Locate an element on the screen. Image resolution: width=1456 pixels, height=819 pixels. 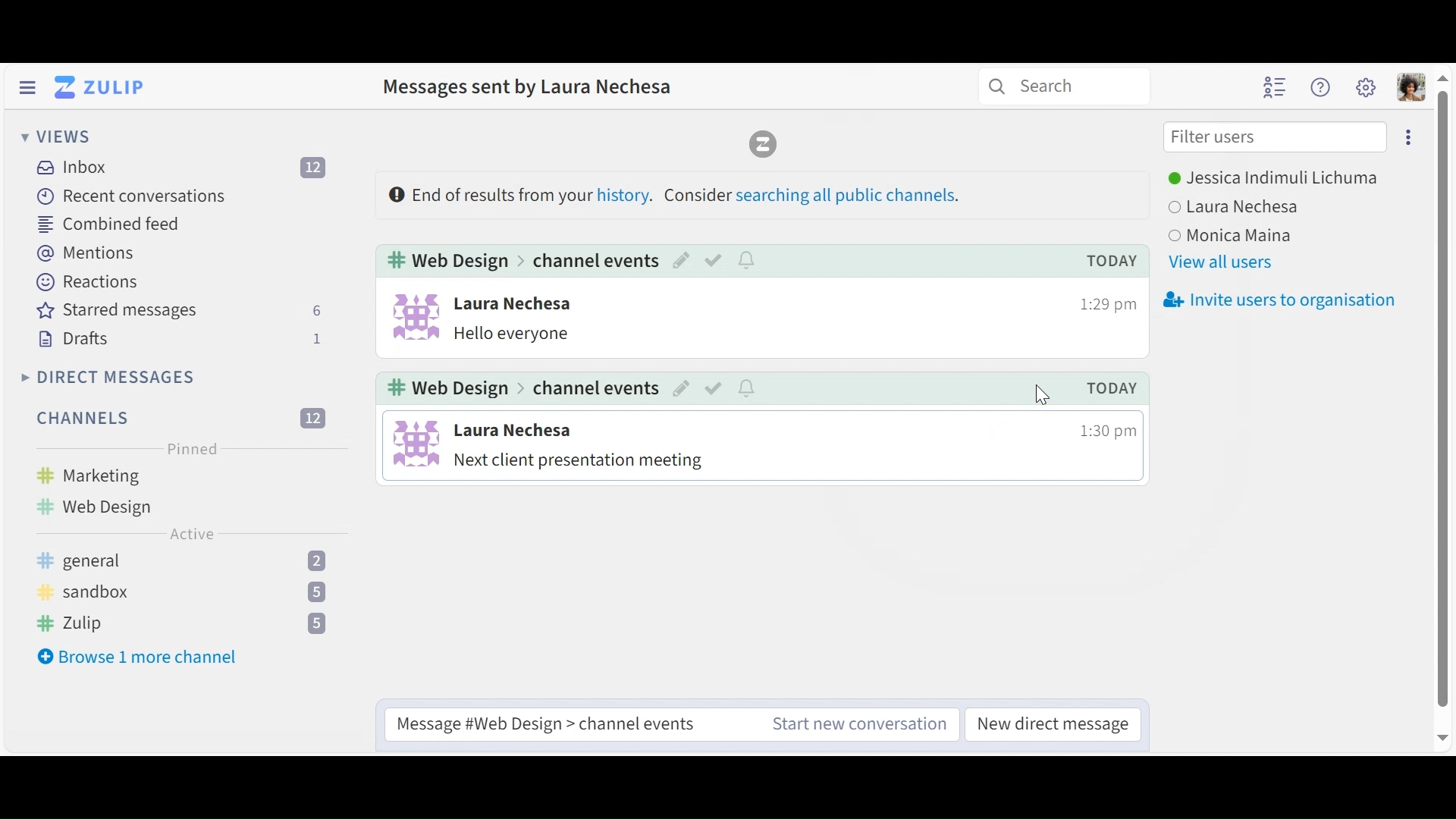
vertical scroll bar is located at coordinates (1442, 397).